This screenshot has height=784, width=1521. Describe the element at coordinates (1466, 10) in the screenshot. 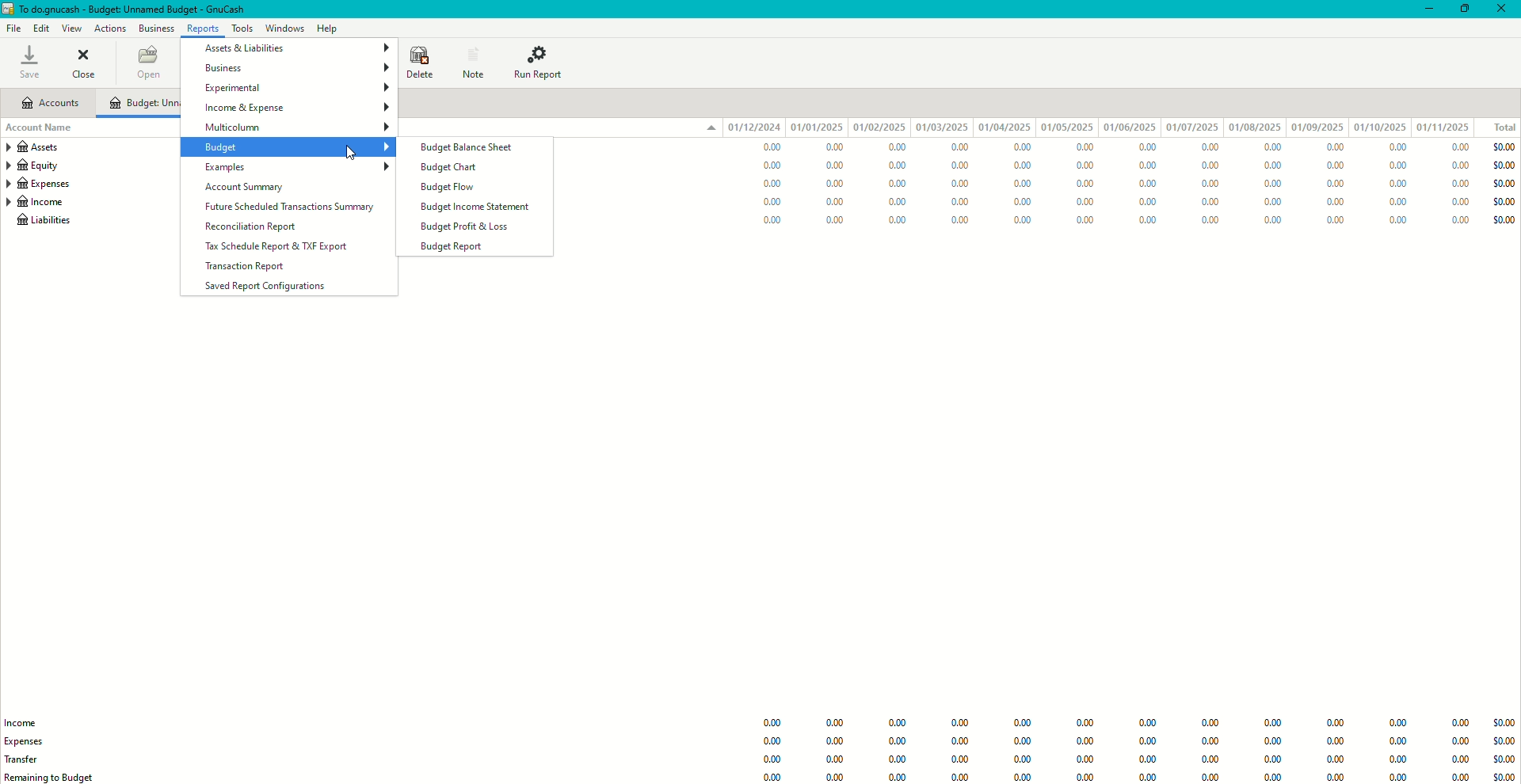

I see `Restore` at that location.